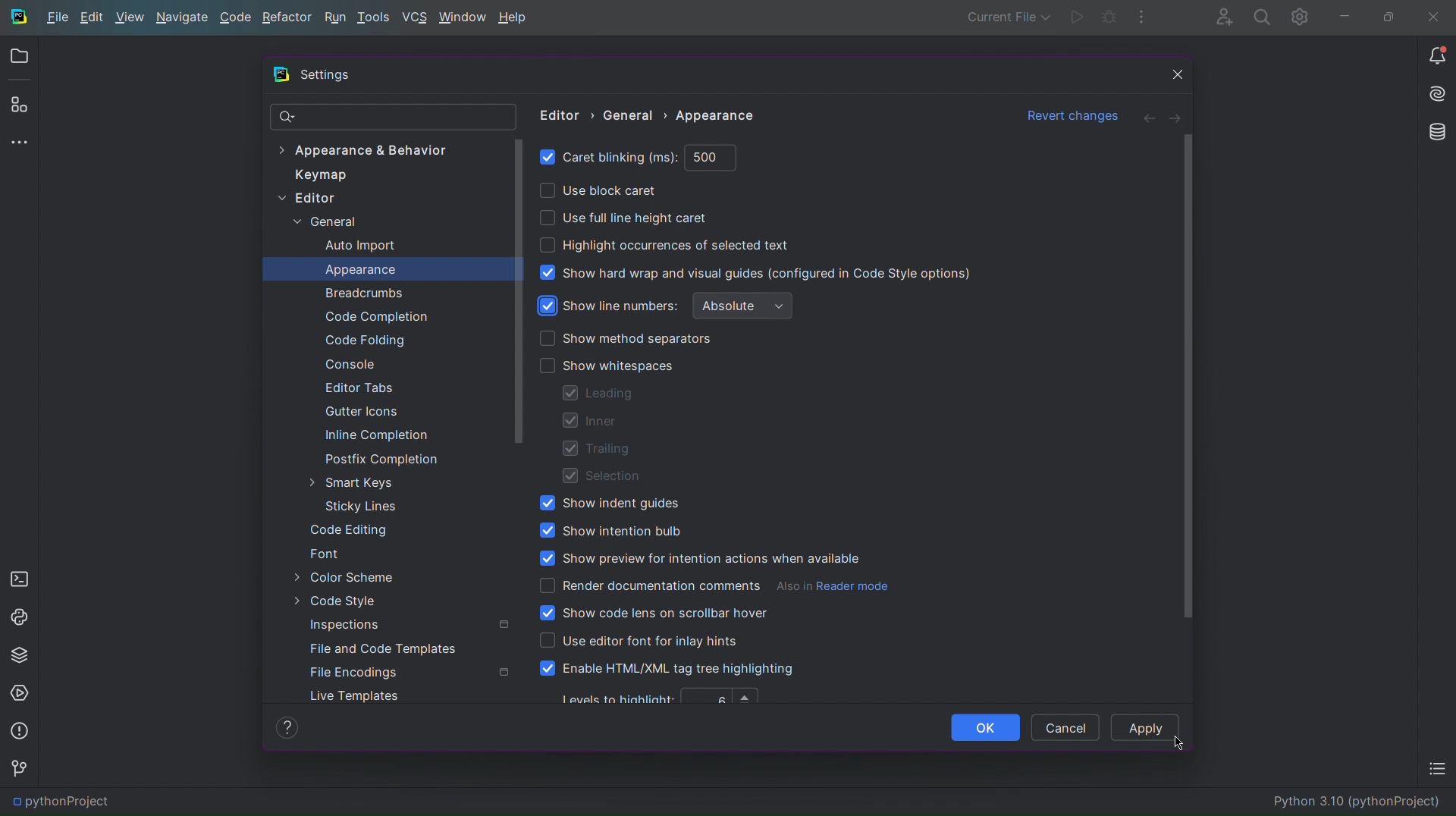  I want to click on Scrollbar, so click(521, 291).